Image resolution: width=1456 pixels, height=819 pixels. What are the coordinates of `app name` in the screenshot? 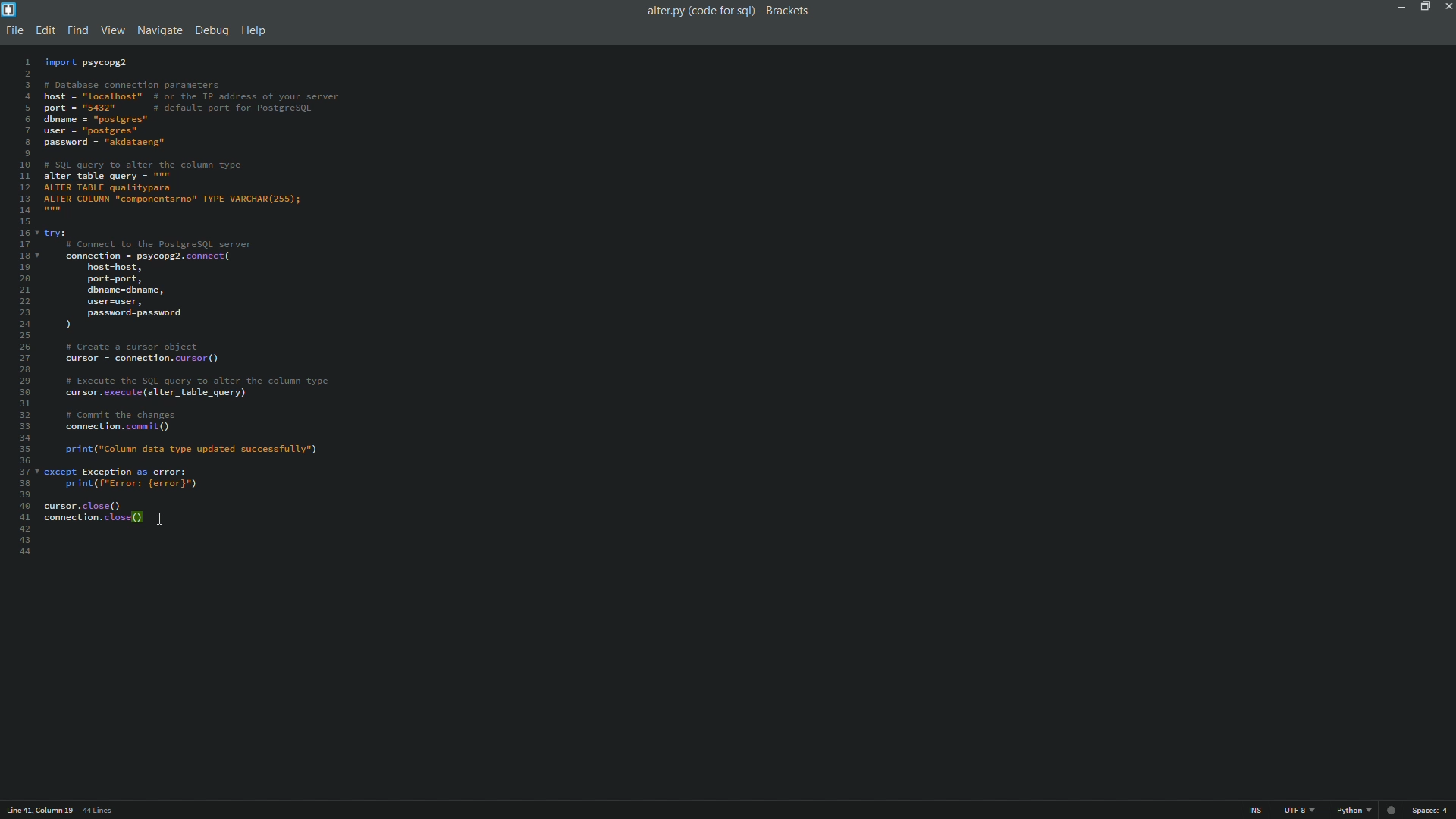 It's located at (790, 11).